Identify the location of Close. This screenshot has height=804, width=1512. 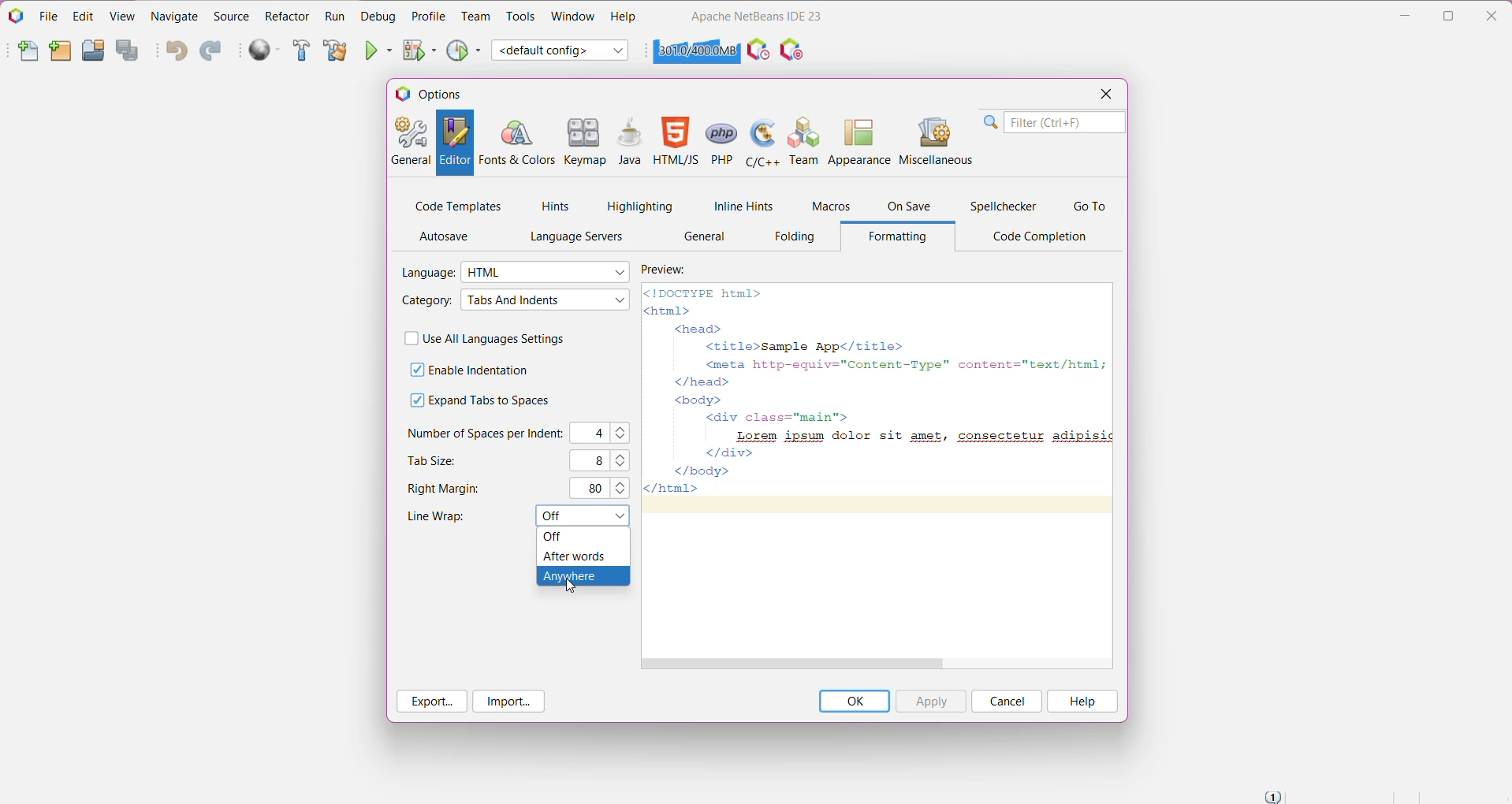
(1104, 95).